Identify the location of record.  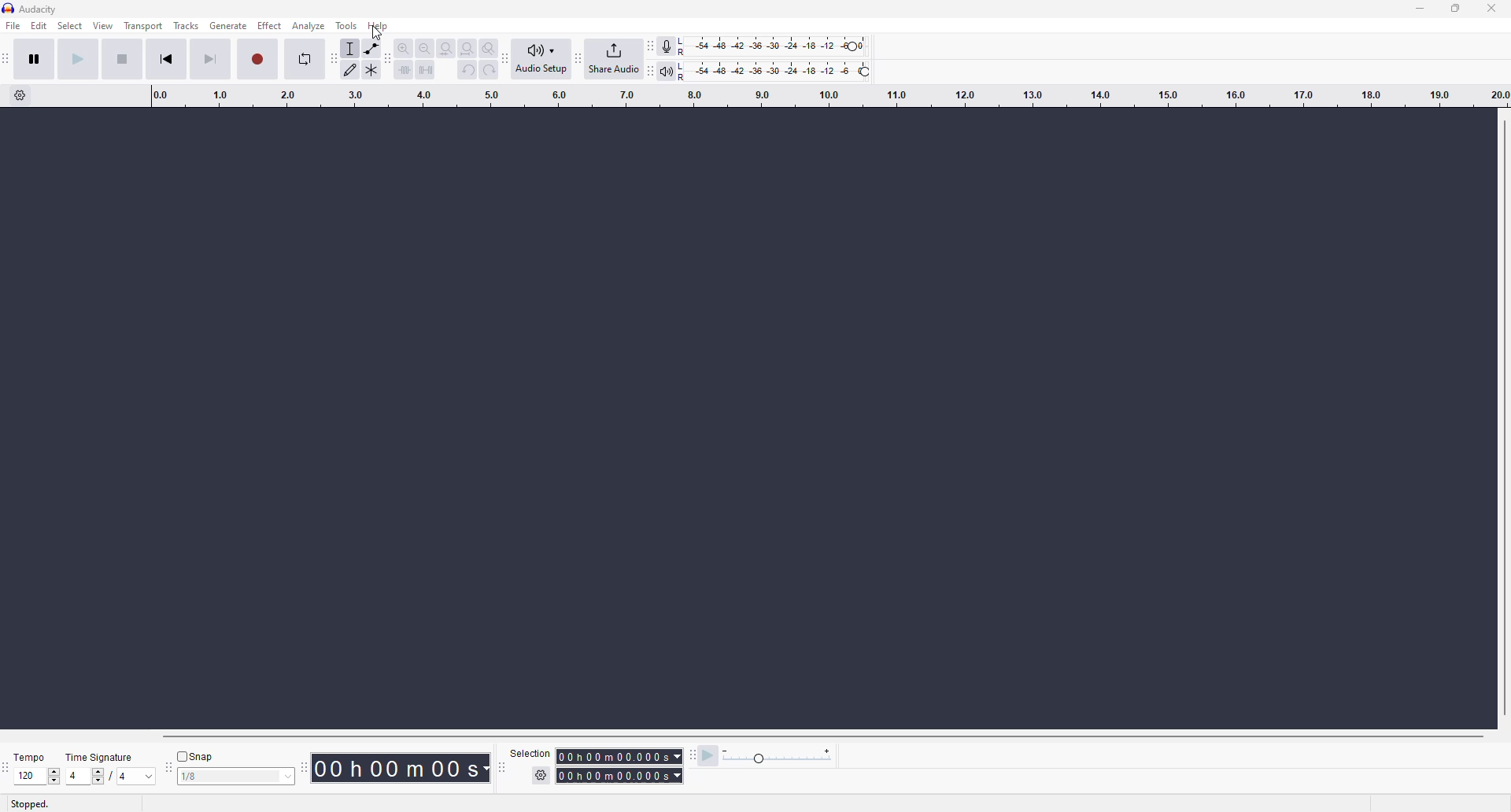
(260, 57).